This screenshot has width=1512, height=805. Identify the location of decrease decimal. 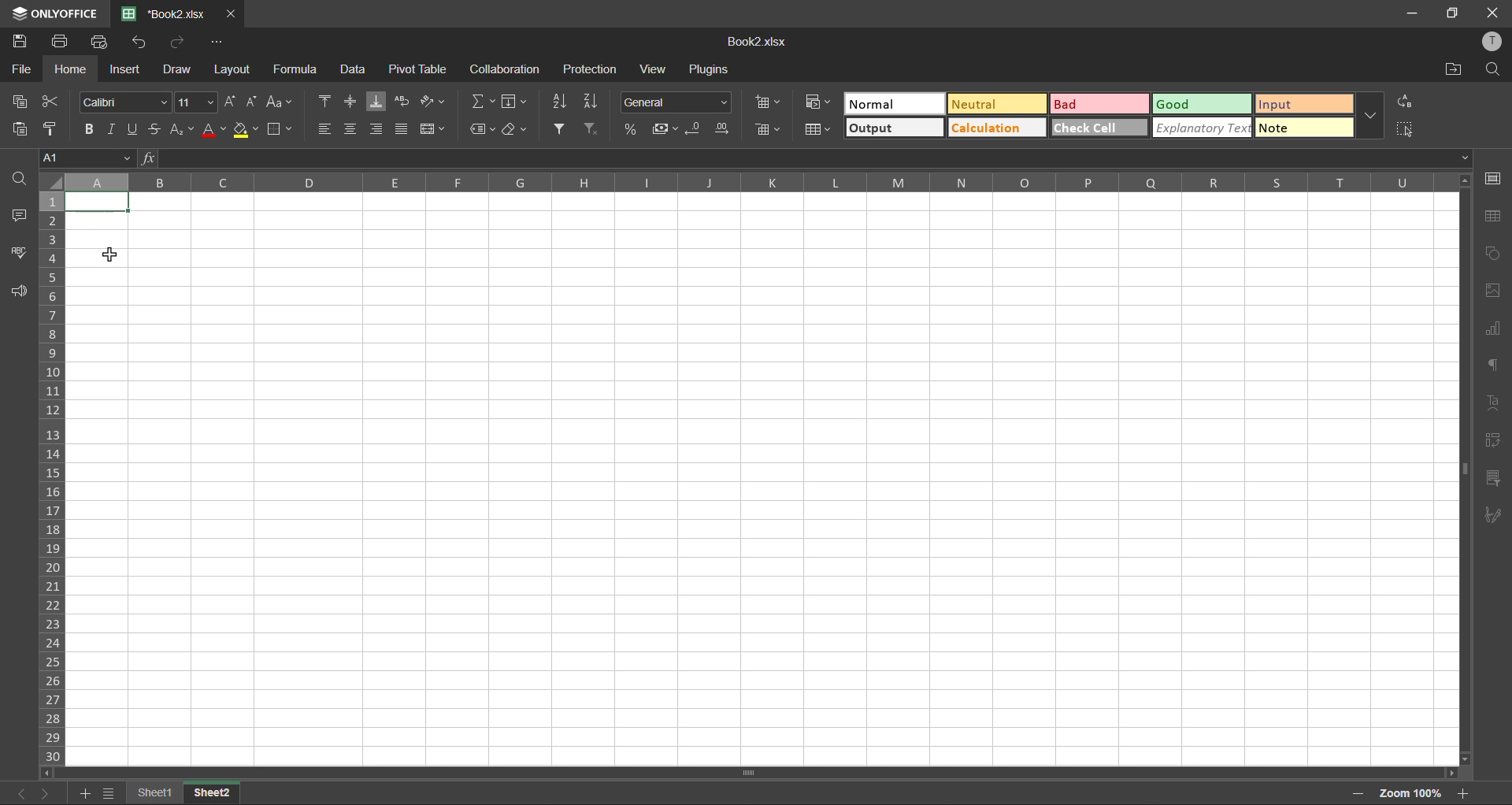
(699, 128).